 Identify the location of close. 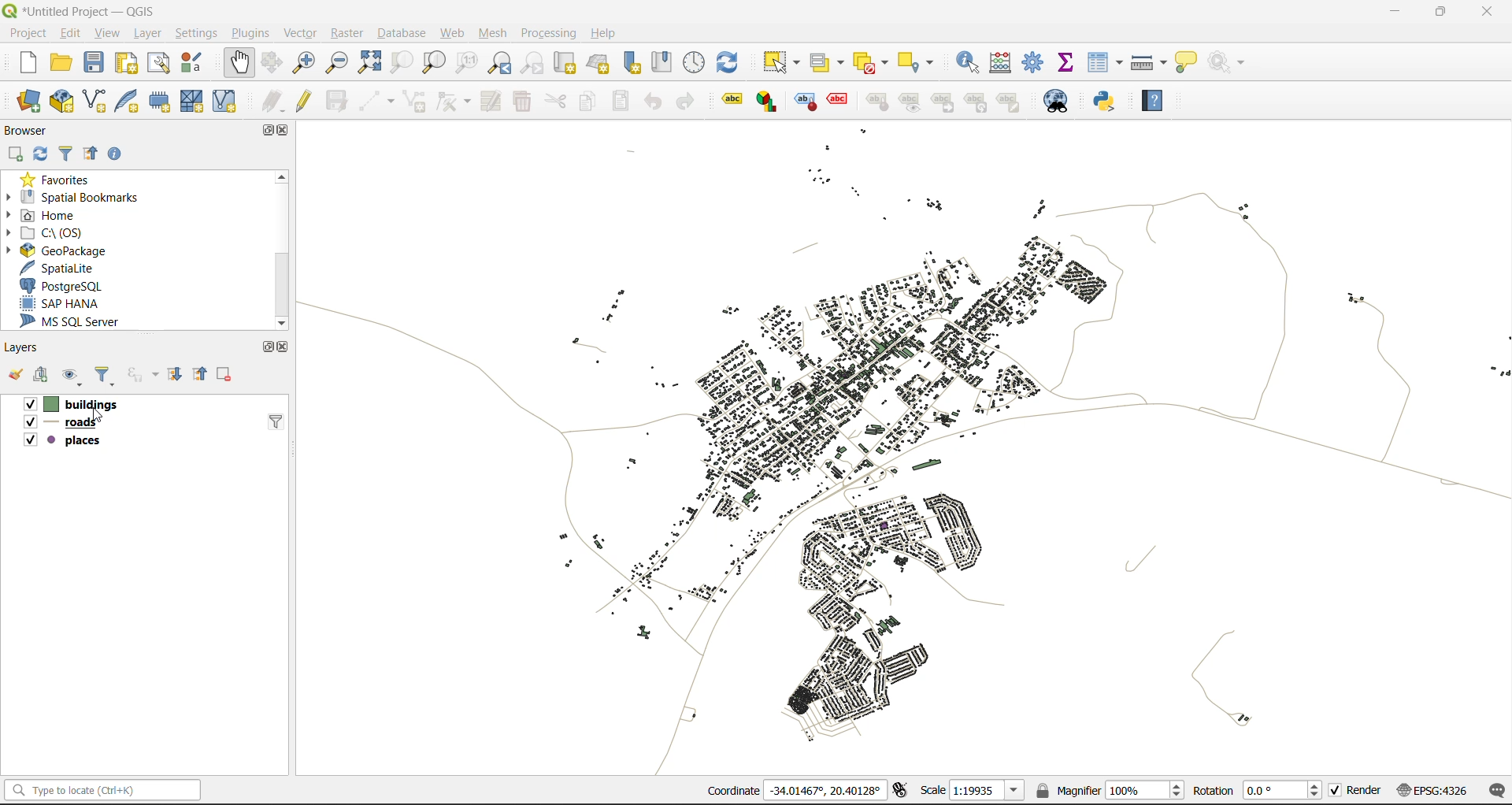
(284, 347).